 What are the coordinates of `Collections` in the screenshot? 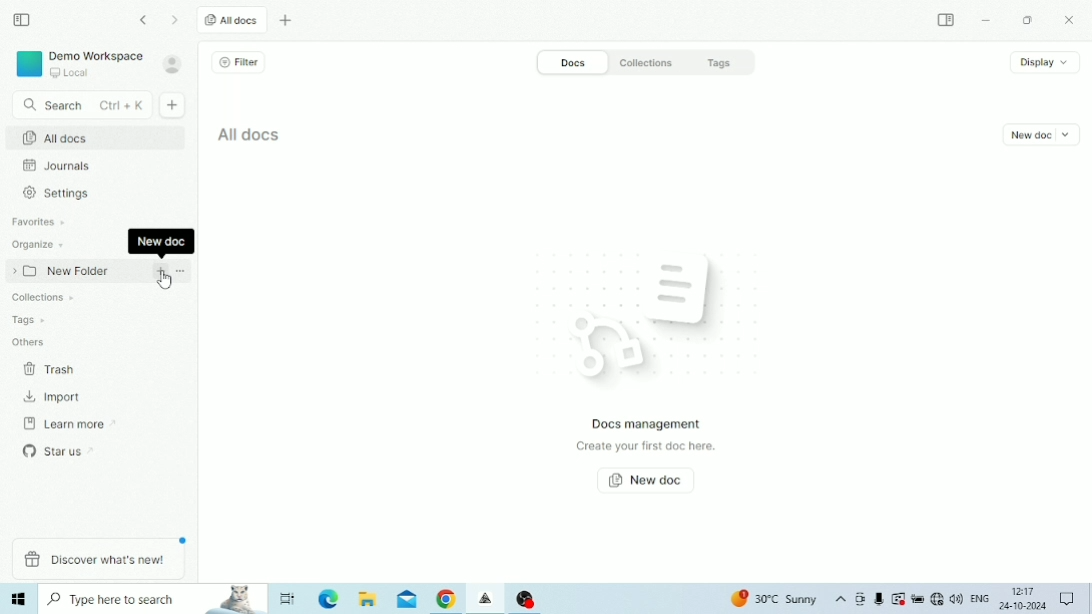 It's located at (40, 300).